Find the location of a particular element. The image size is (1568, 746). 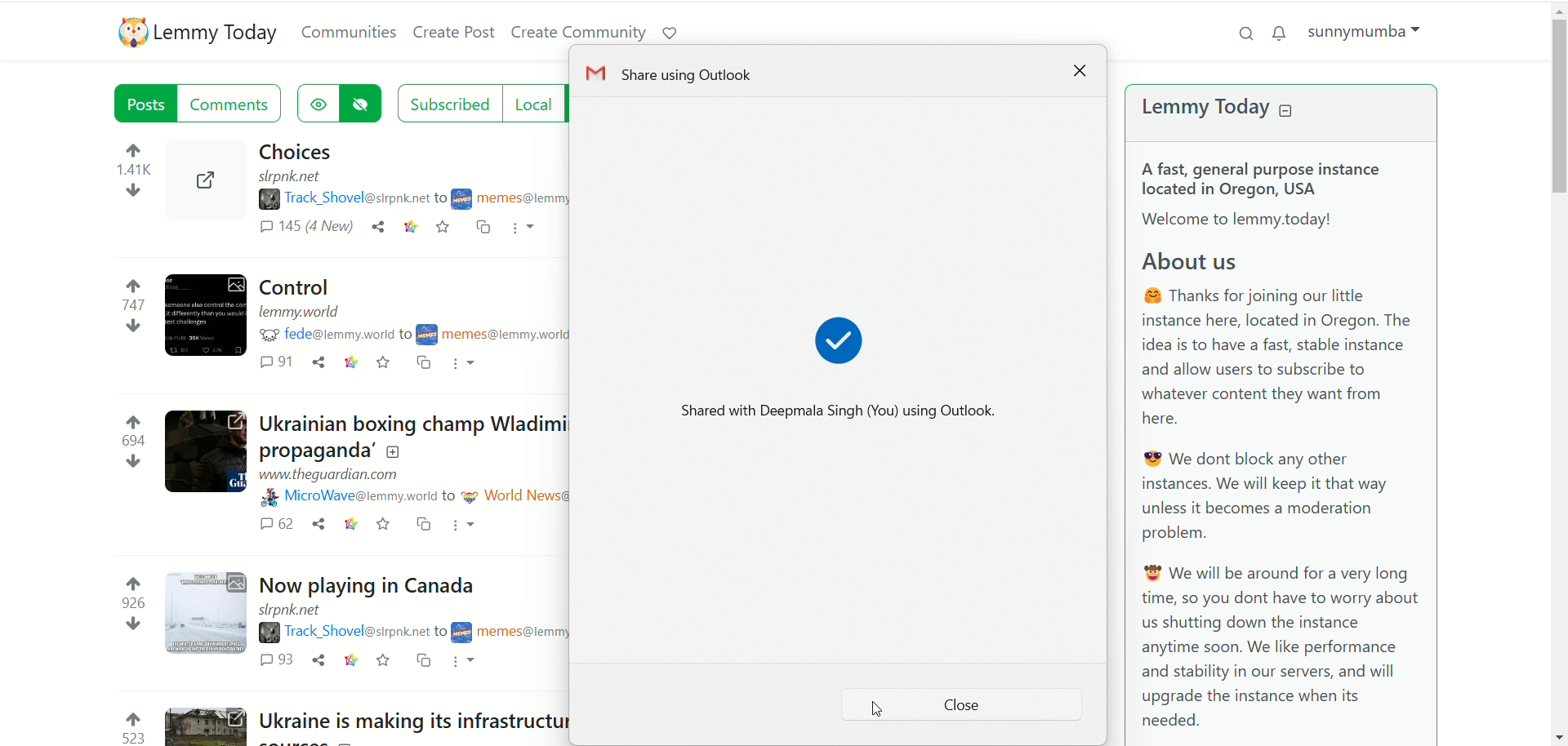

link is located at coordinates (348, 659).